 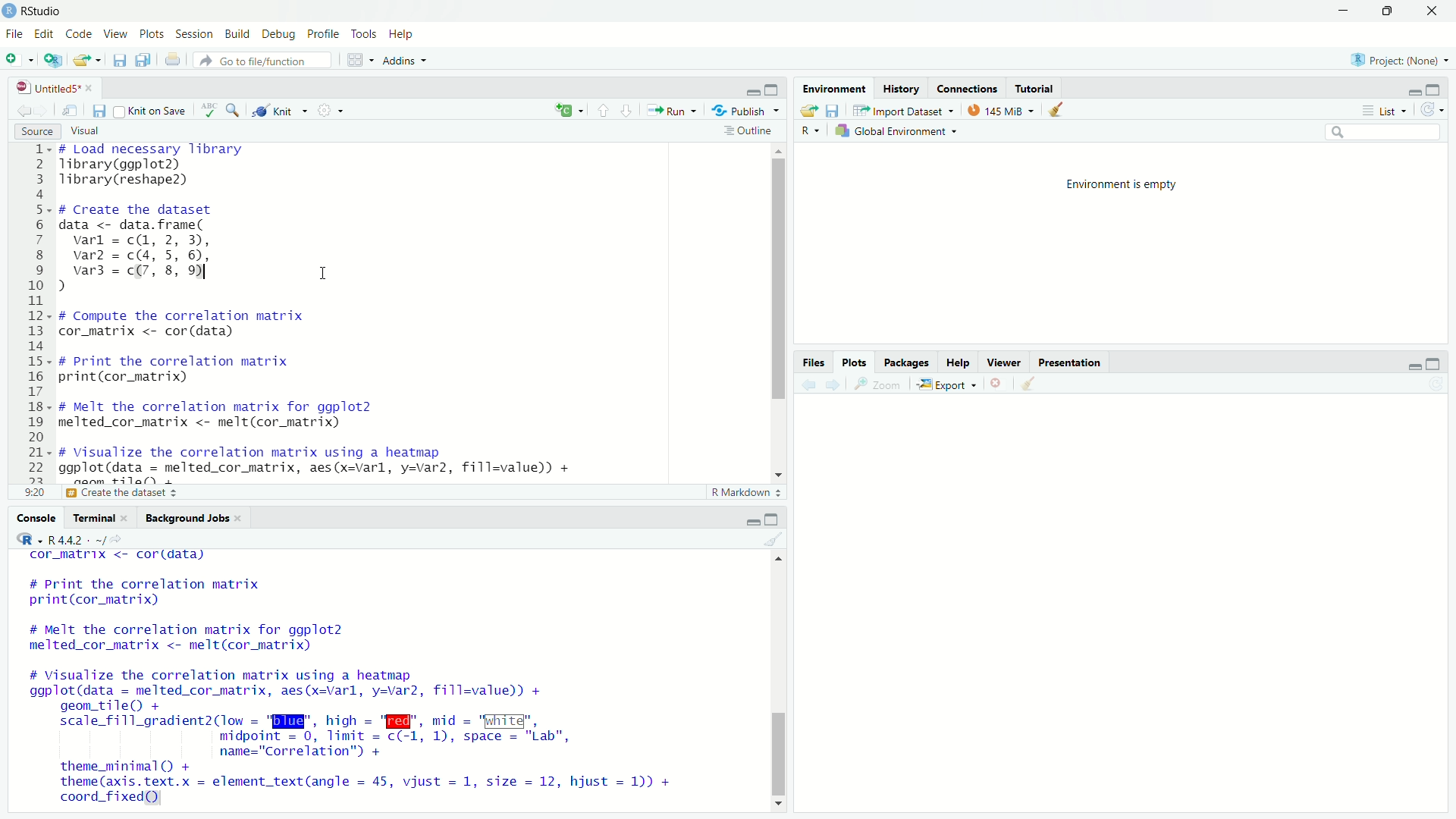 What do you see at coordinates (780, 280) in the screenshot?
I see `vertical scrollbar` at bounding box center [780, 280].